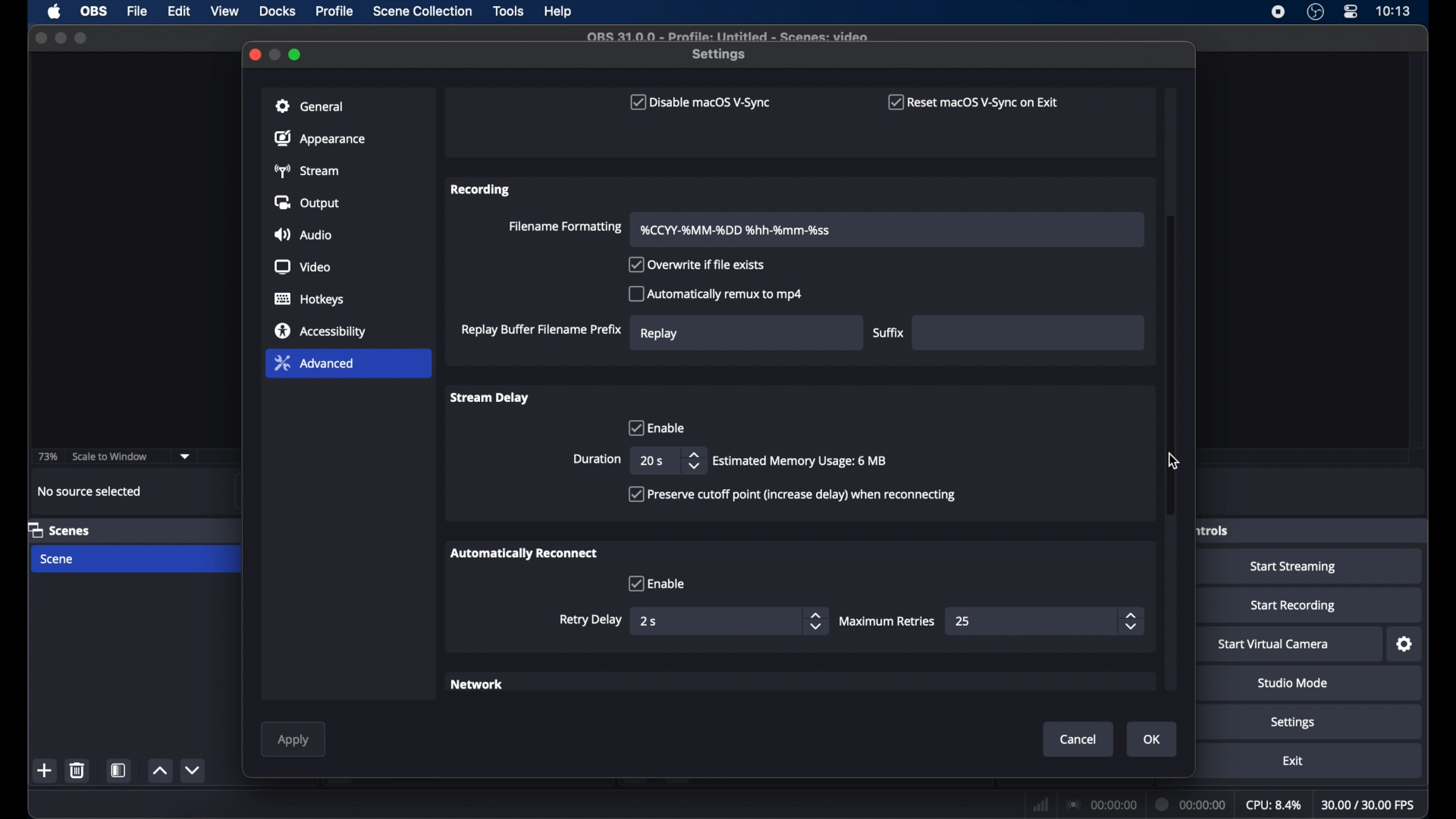 The image size is (1456, 819). Describe the element at coordinates (120, 770) in the screenshot. I see `scene filters` at that location.